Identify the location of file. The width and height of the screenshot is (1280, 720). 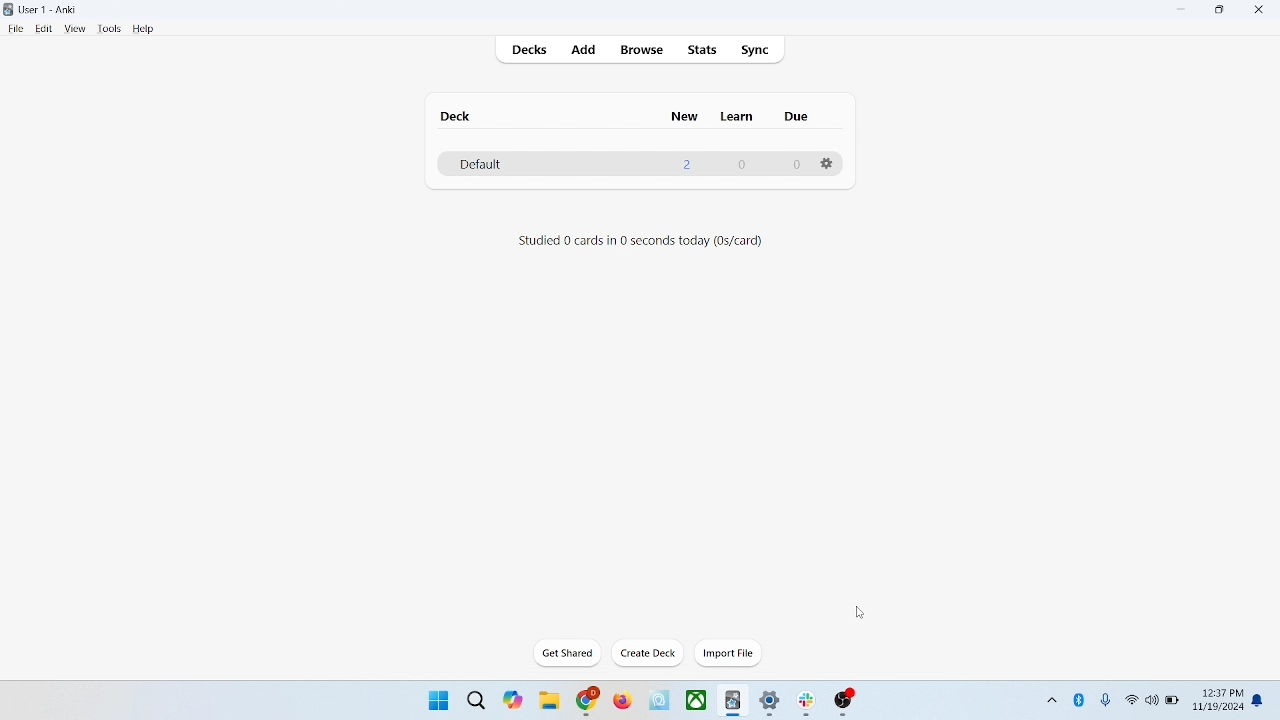
(15, 29).